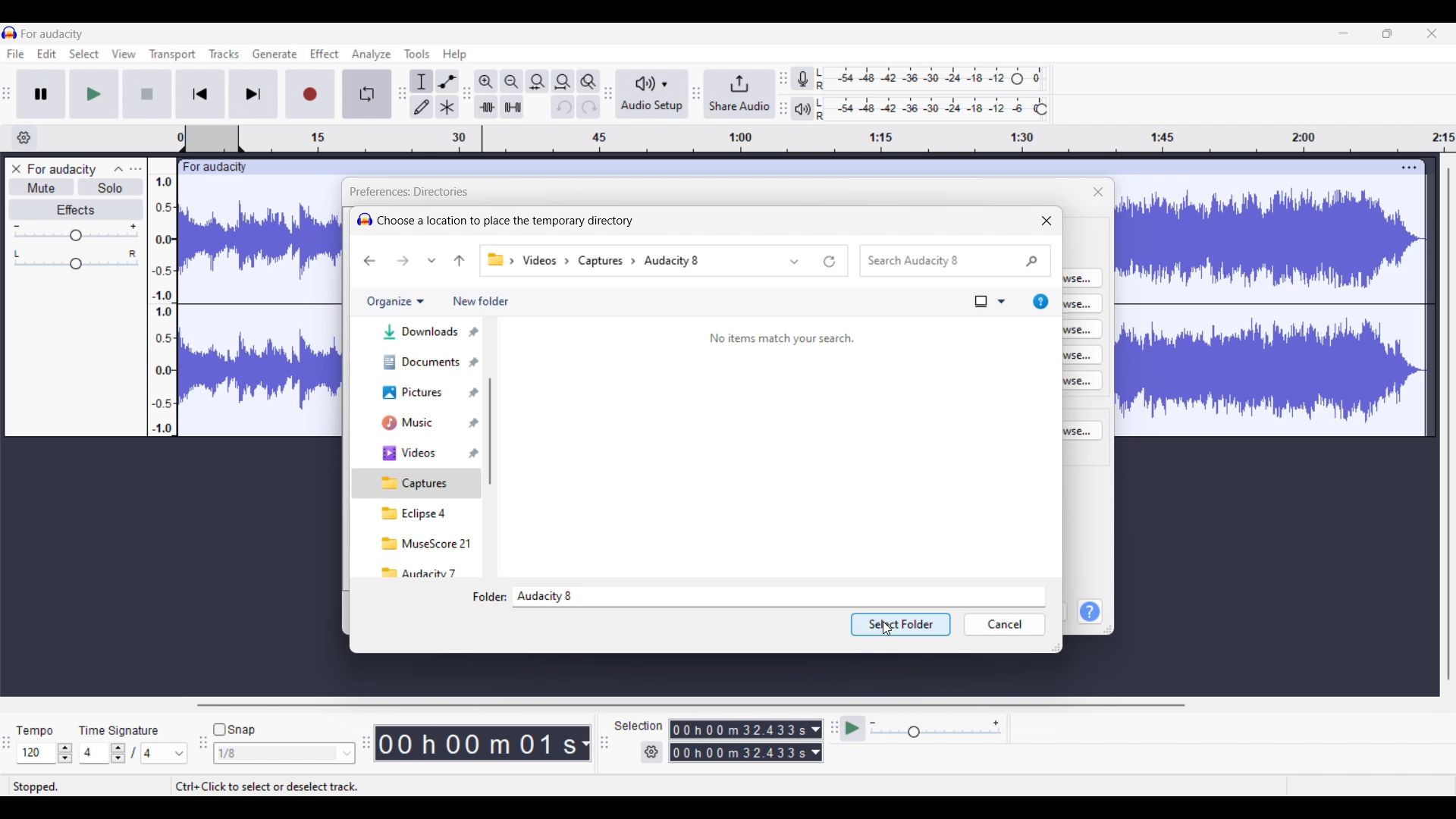  I want to click on Generate menu, so click(275, 54).